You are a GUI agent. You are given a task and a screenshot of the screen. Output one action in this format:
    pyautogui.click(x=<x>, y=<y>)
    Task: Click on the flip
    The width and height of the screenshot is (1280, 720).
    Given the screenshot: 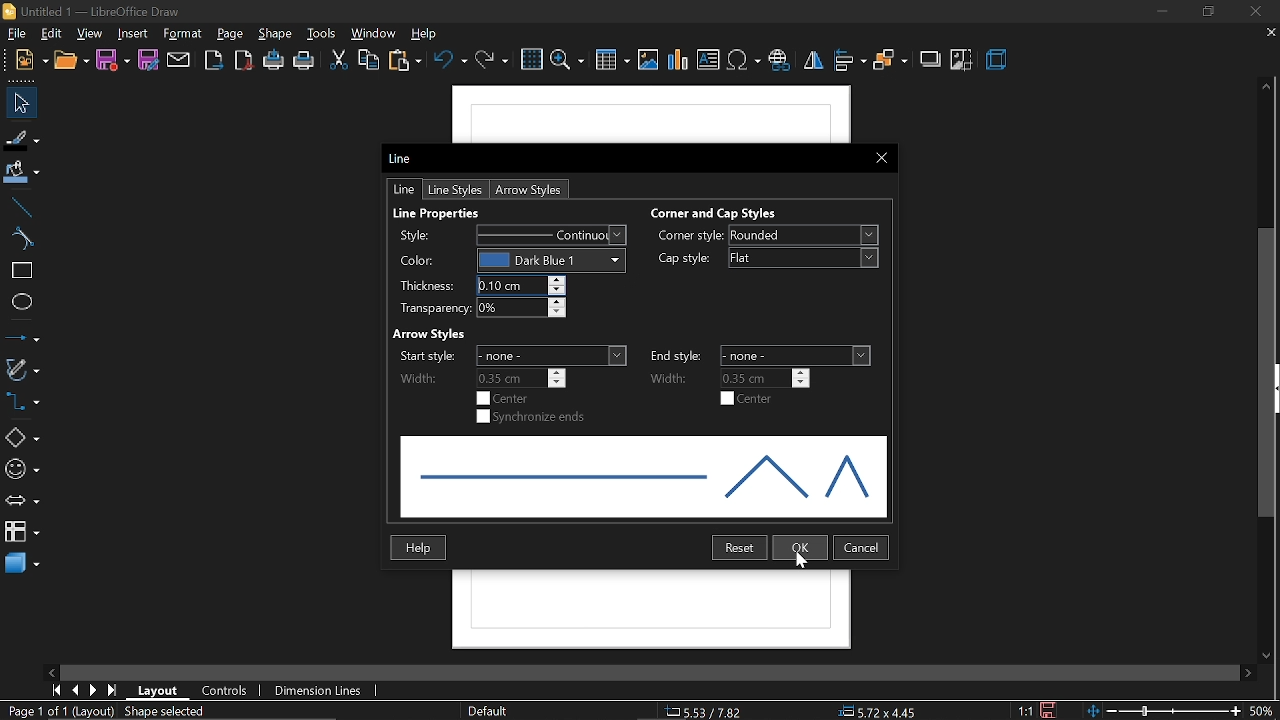 What is the action you would take?
    pyautogui.click(x=812, y=63)
    